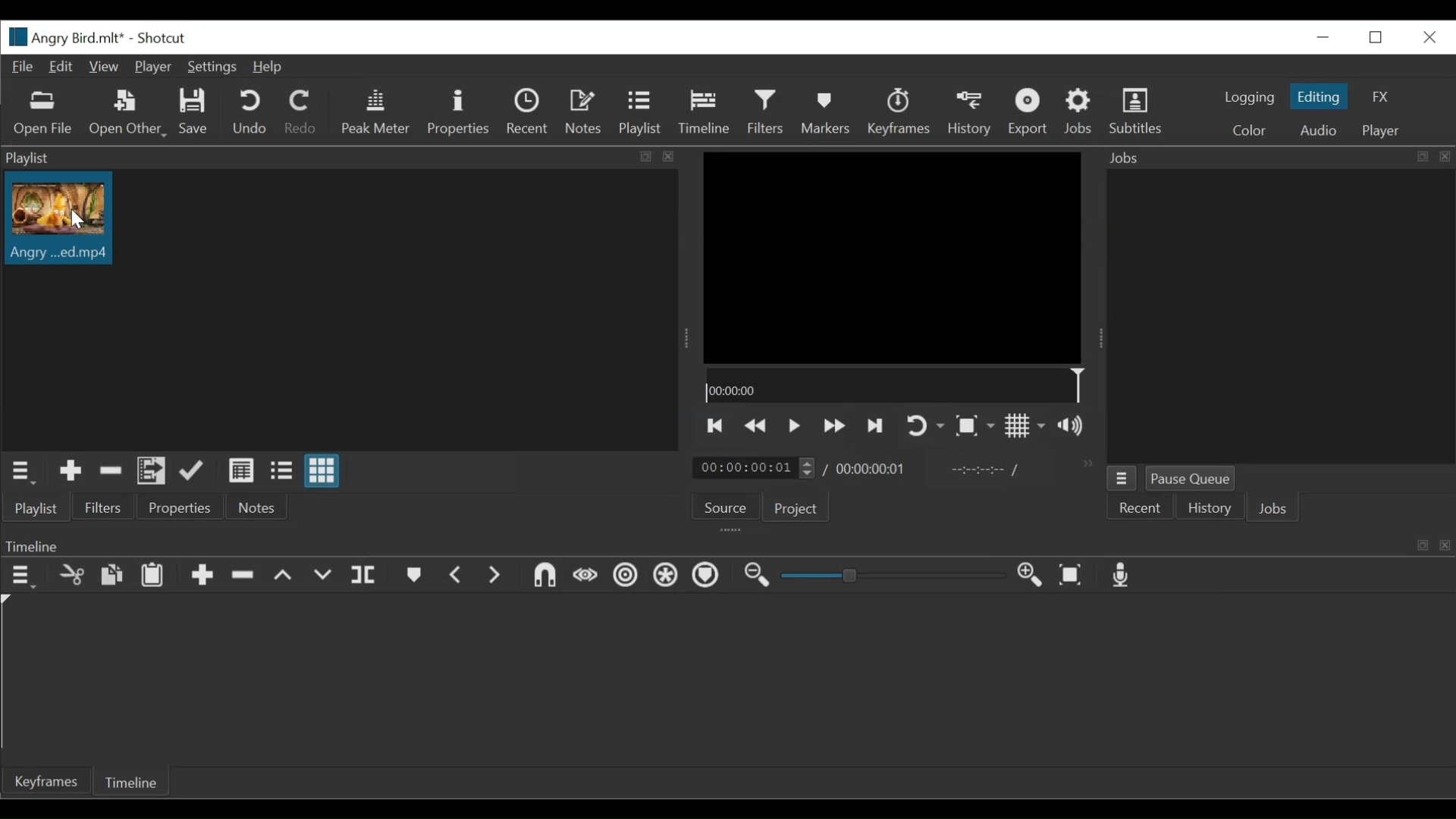 This screenshot has width=1456, height=819. What do you see at coordinates (63, 67) in the screenshot?
I see `Edit` at bounding box center [63, 67].